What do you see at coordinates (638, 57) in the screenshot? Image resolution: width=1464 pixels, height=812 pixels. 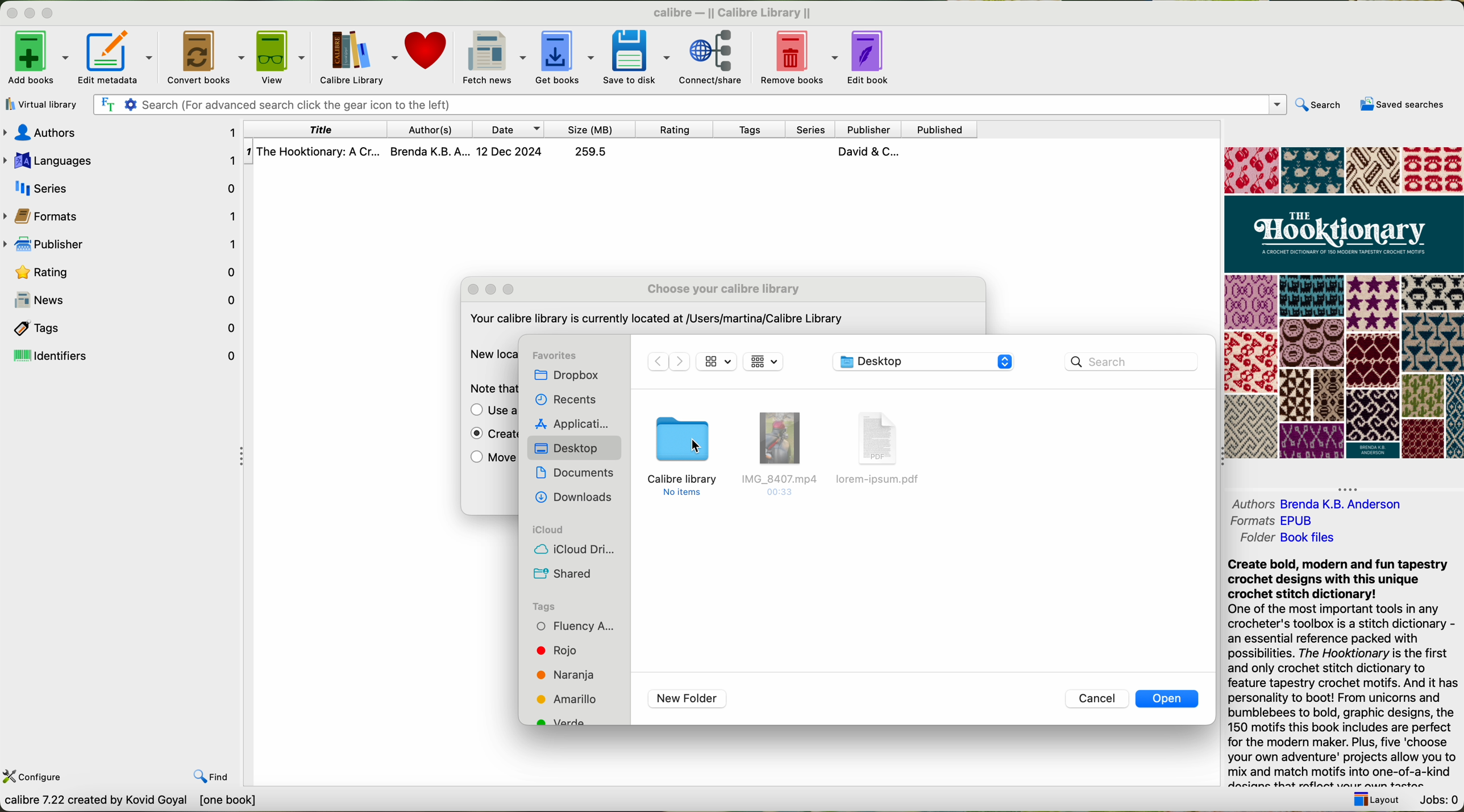 I see `save to disk` at bounding box center [638, 57].